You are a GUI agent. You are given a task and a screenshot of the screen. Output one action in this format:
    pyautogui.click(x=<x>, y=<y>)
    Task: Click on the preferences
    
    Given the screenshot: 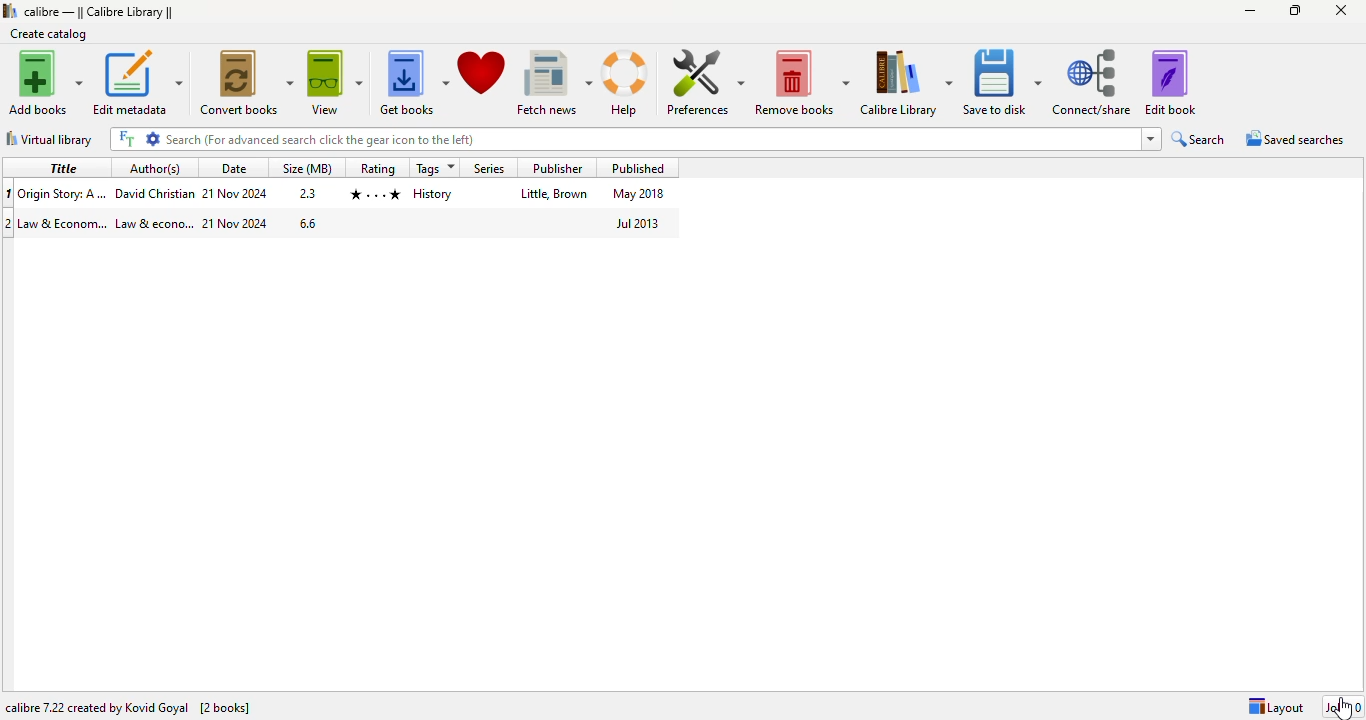 What is the action you would take?
    pyautogui.click(x=705, y=82)
    